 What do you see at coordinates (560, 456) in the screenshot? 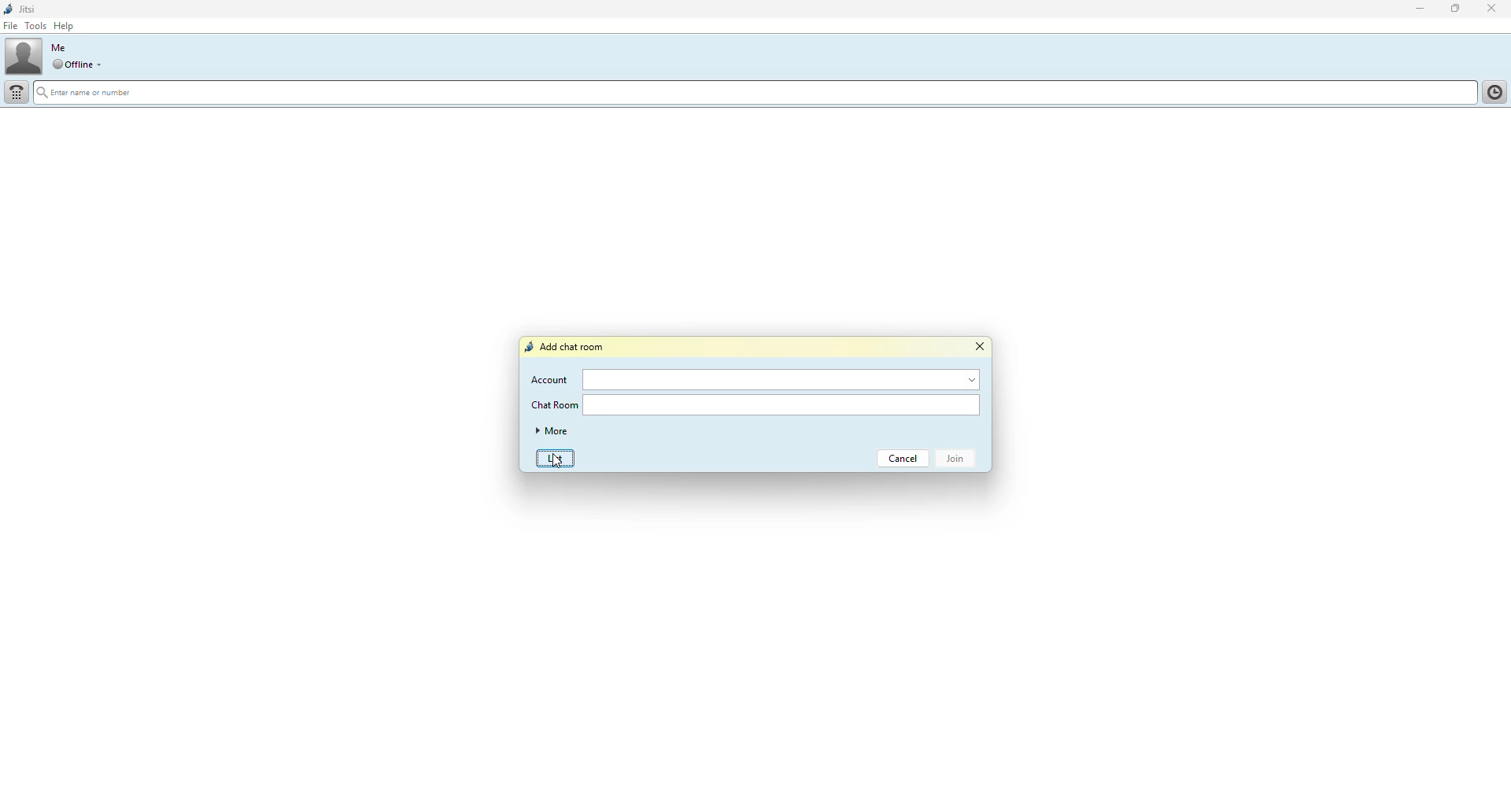
I see `list` at bounding box center [560, 456].